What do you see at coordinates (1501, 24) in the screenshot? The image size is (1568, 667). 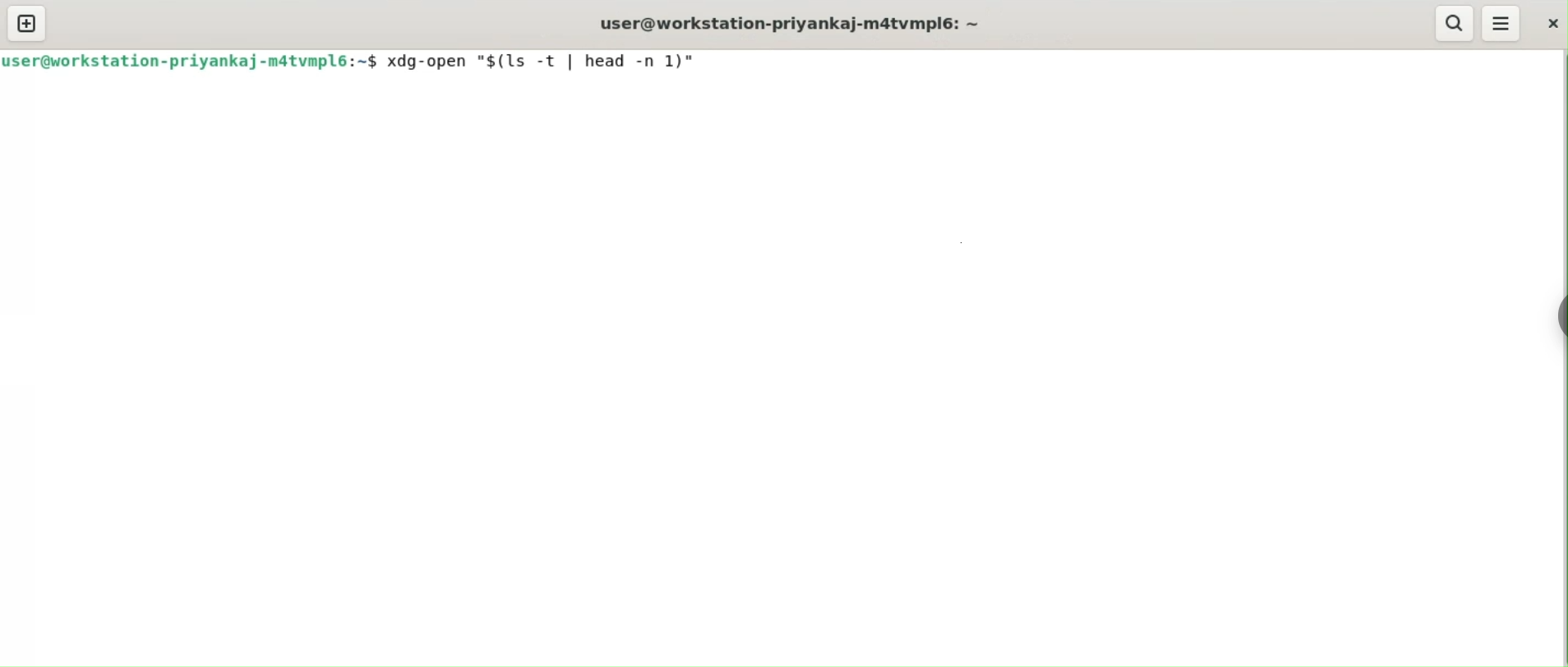 I see `menu` at bounding box center [1501, 24].